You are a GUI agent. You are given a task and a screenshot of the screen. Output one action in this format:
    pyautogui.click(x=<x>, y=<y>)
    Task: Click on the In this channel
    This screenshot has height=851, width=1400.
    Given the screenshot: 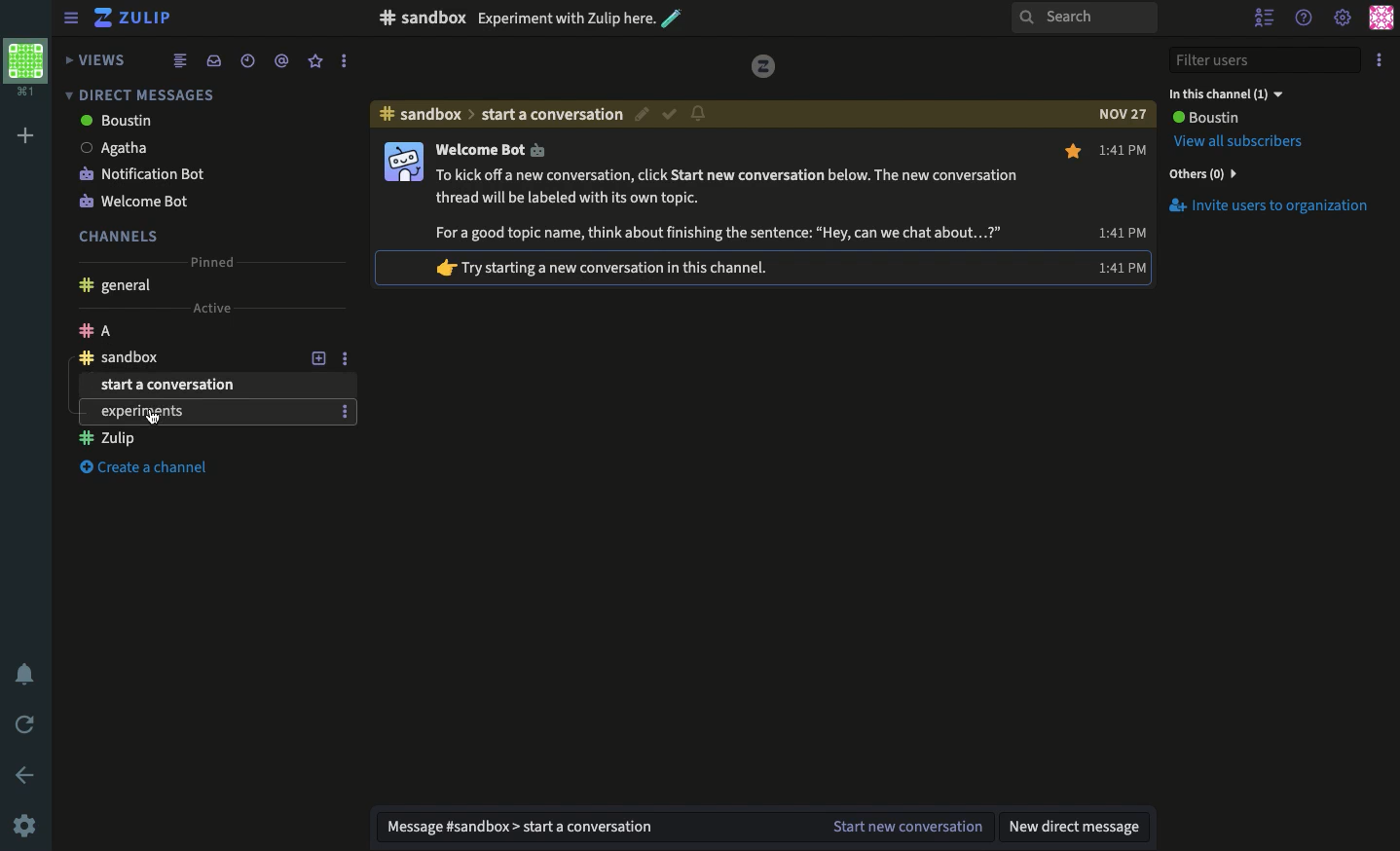 What is the action you would take?
    pyautogui.click(x=1226, y=93)
    